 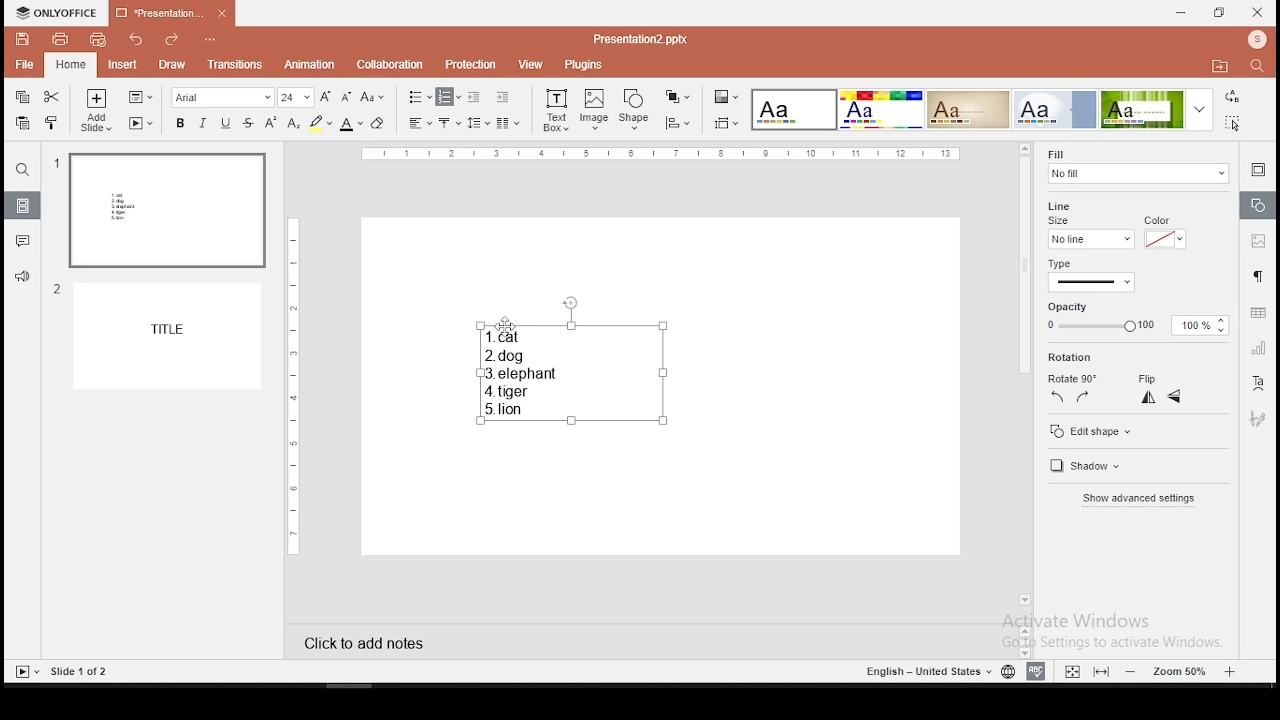 What do you see at coordinates (57, 14) in the screenshot?
I see `icon` at bounding box center [57, 14].